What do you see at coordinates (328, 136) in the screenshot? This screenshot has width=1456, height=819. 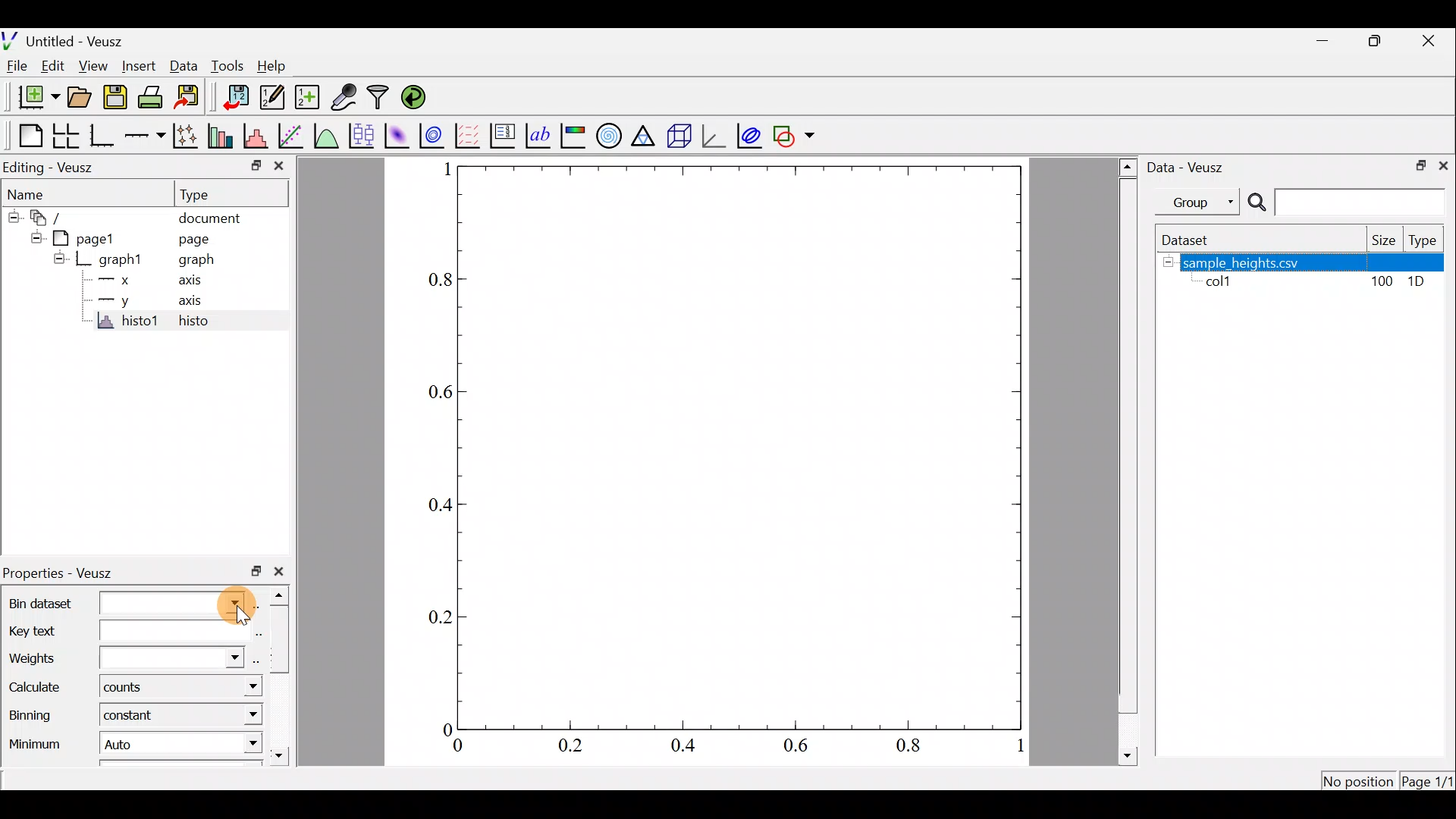 I see `plot a function` at bounding box center [328, 136].